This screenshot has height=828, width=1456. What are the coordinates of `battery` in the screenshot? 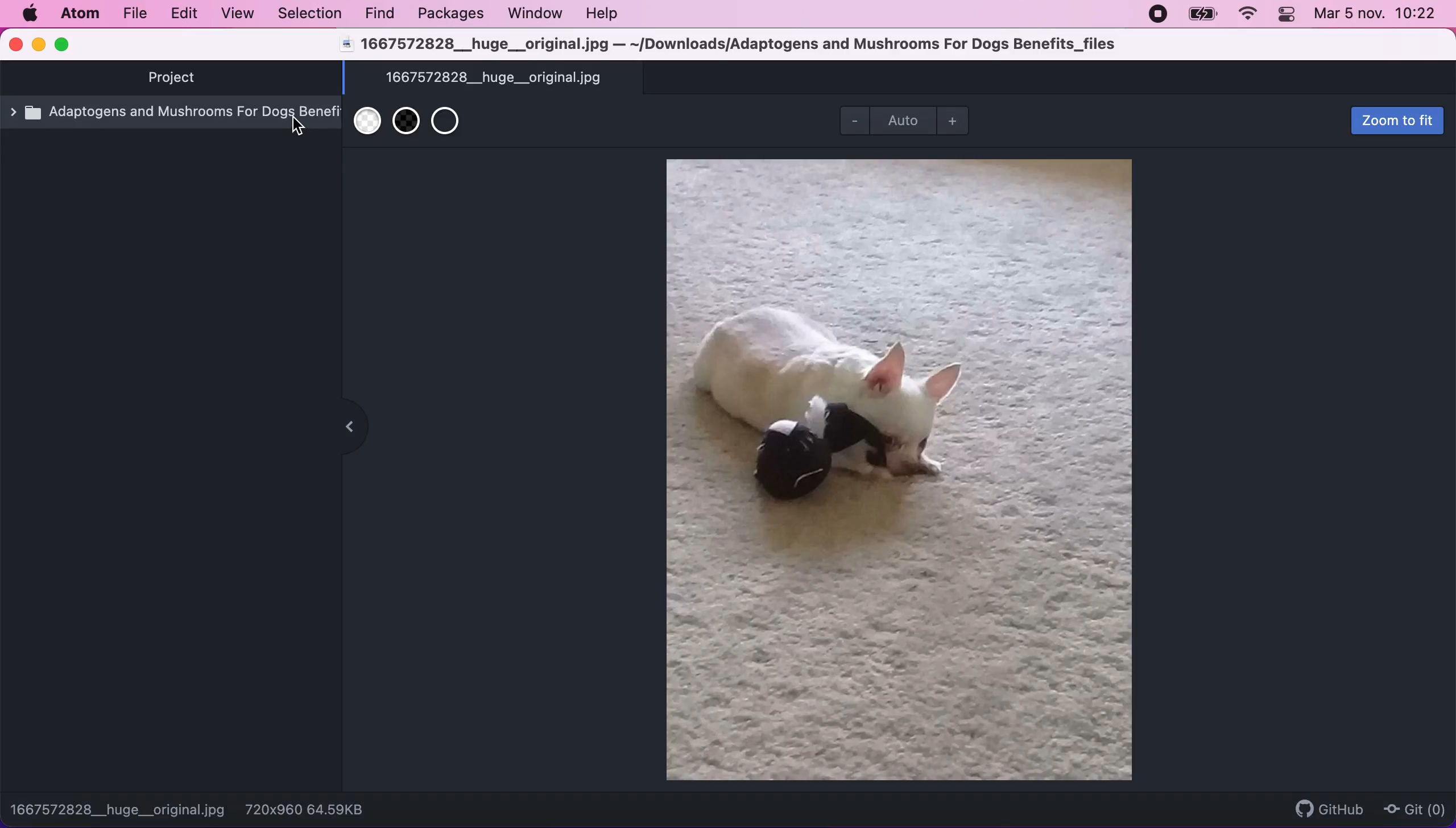 It's located at (1199, 15).